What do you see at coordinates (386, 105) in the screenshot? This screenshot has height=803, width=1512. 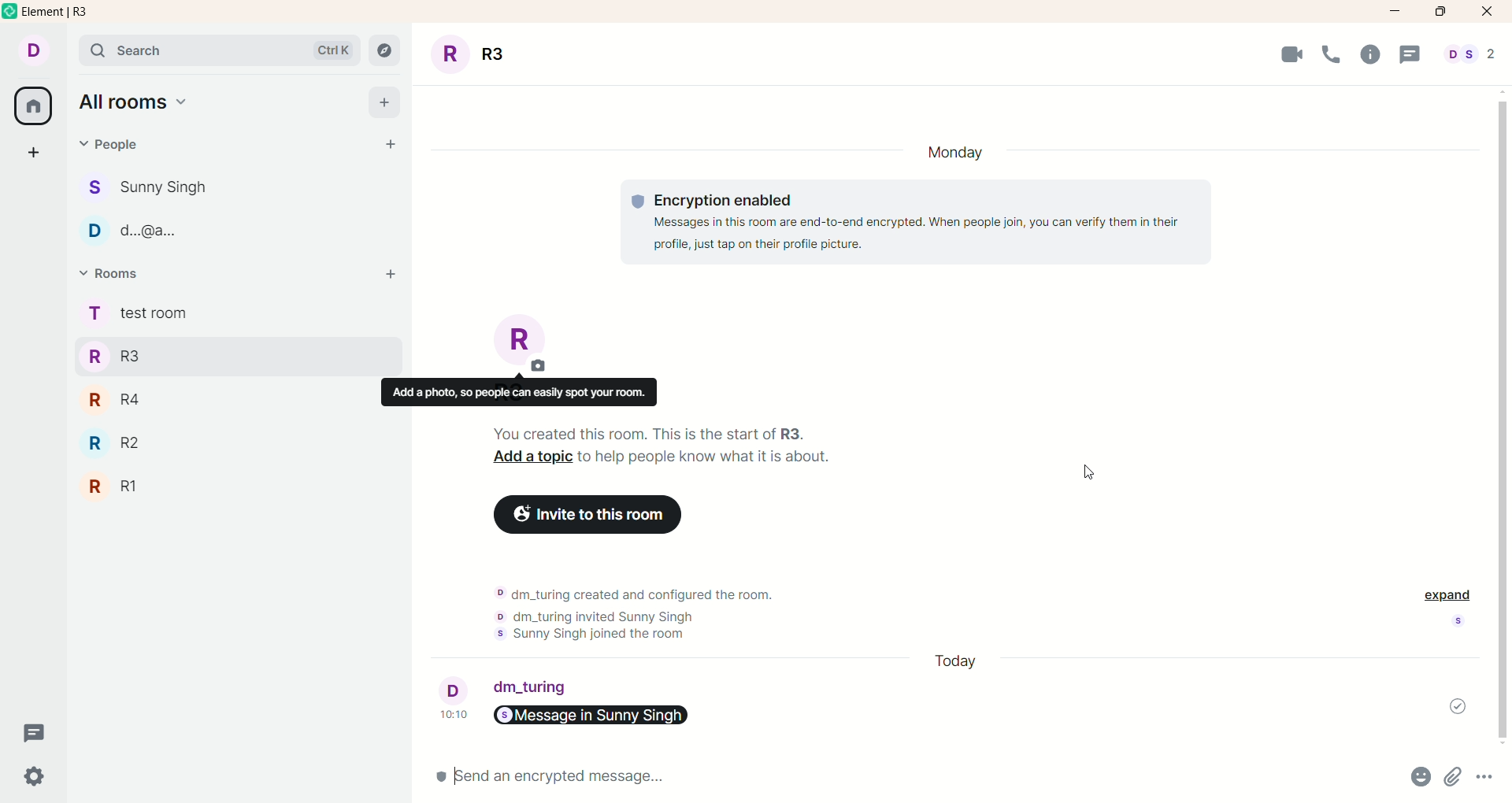 I see `add` at bounding box center [386, 105].